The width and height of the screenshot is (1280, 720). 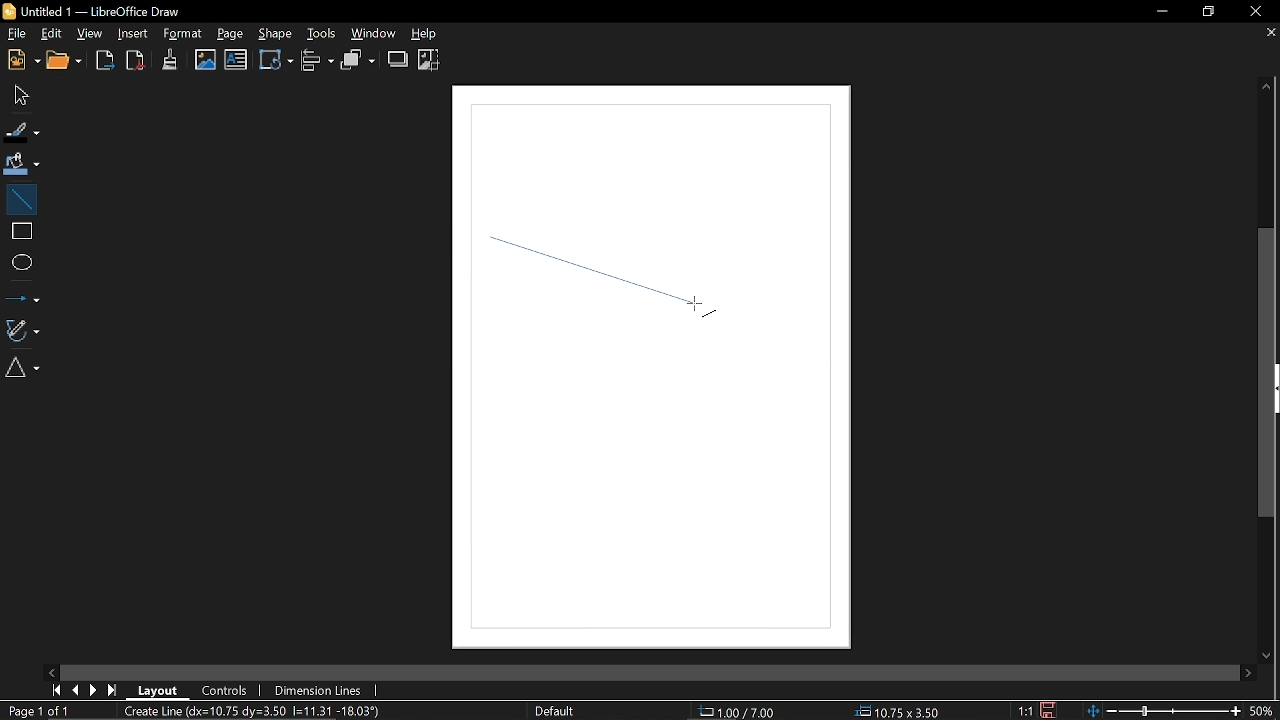 What do you see at coordinates (703, 312) in the screenshot?
I see `cursor` at bounding box center [703, 312].